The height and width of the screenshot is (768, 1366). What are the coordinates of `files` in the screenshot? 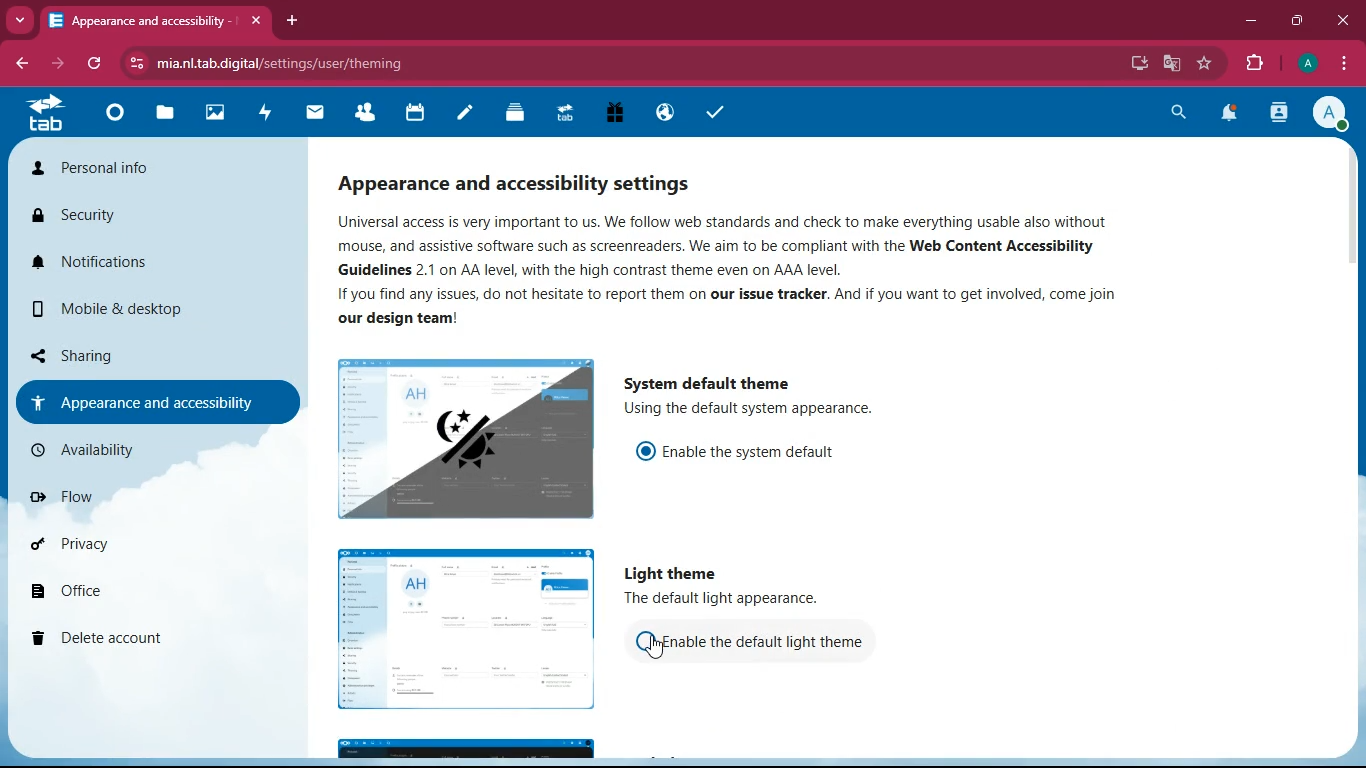 It's located at (163, 114).